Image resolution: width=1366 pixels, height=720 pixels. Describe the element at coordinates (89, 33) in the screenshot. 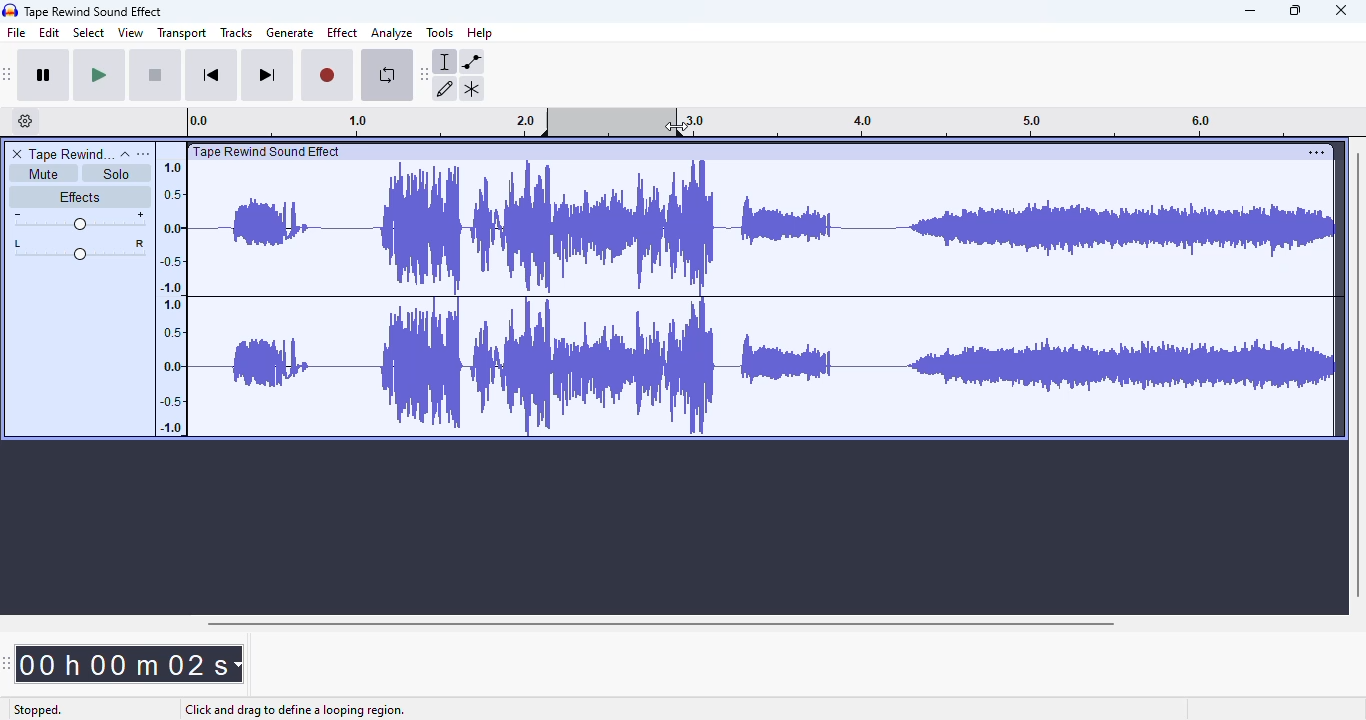

I see `select` at that location.